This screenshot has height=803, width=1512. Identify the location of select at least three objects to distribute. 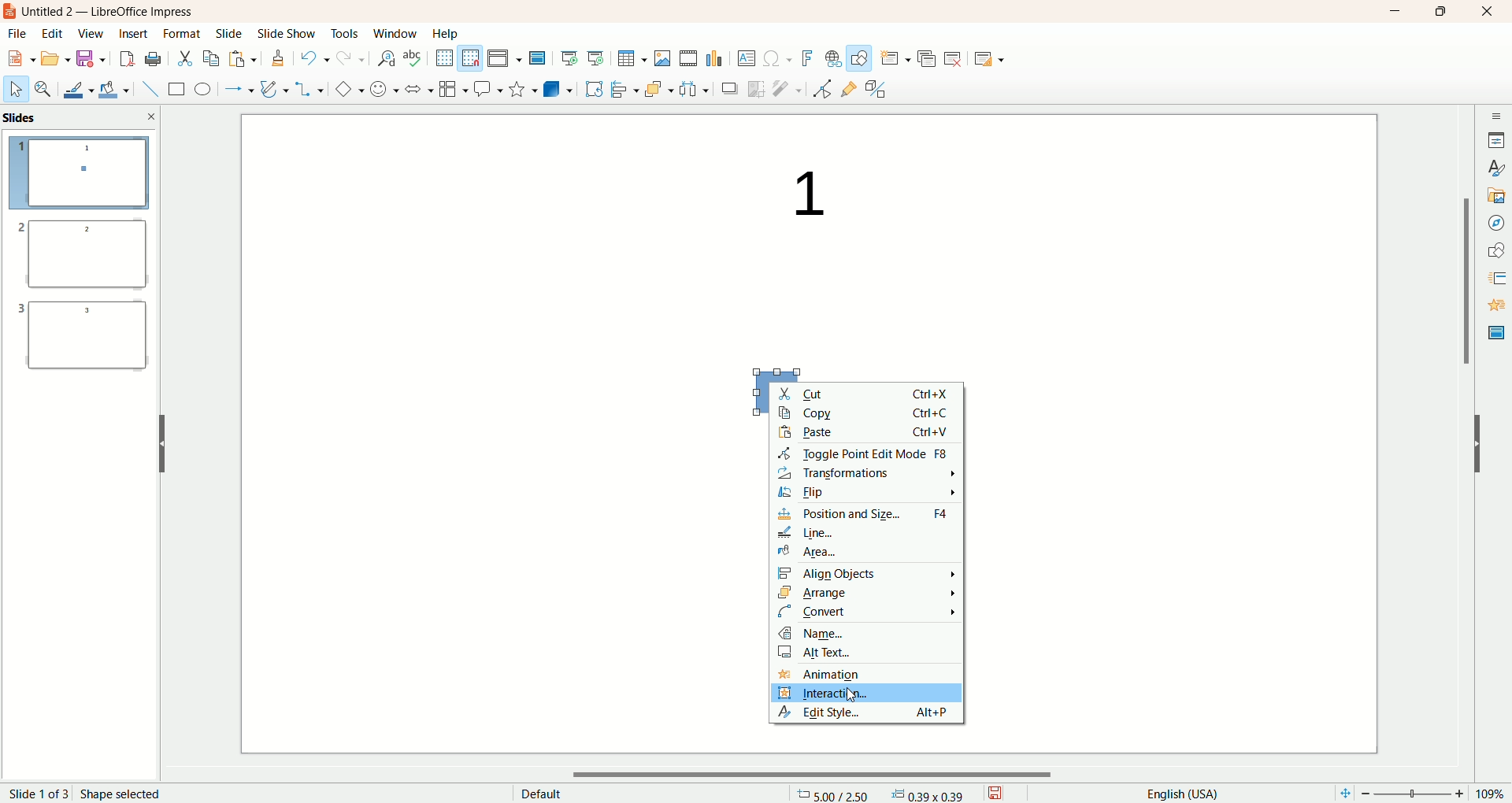
(694, 87).